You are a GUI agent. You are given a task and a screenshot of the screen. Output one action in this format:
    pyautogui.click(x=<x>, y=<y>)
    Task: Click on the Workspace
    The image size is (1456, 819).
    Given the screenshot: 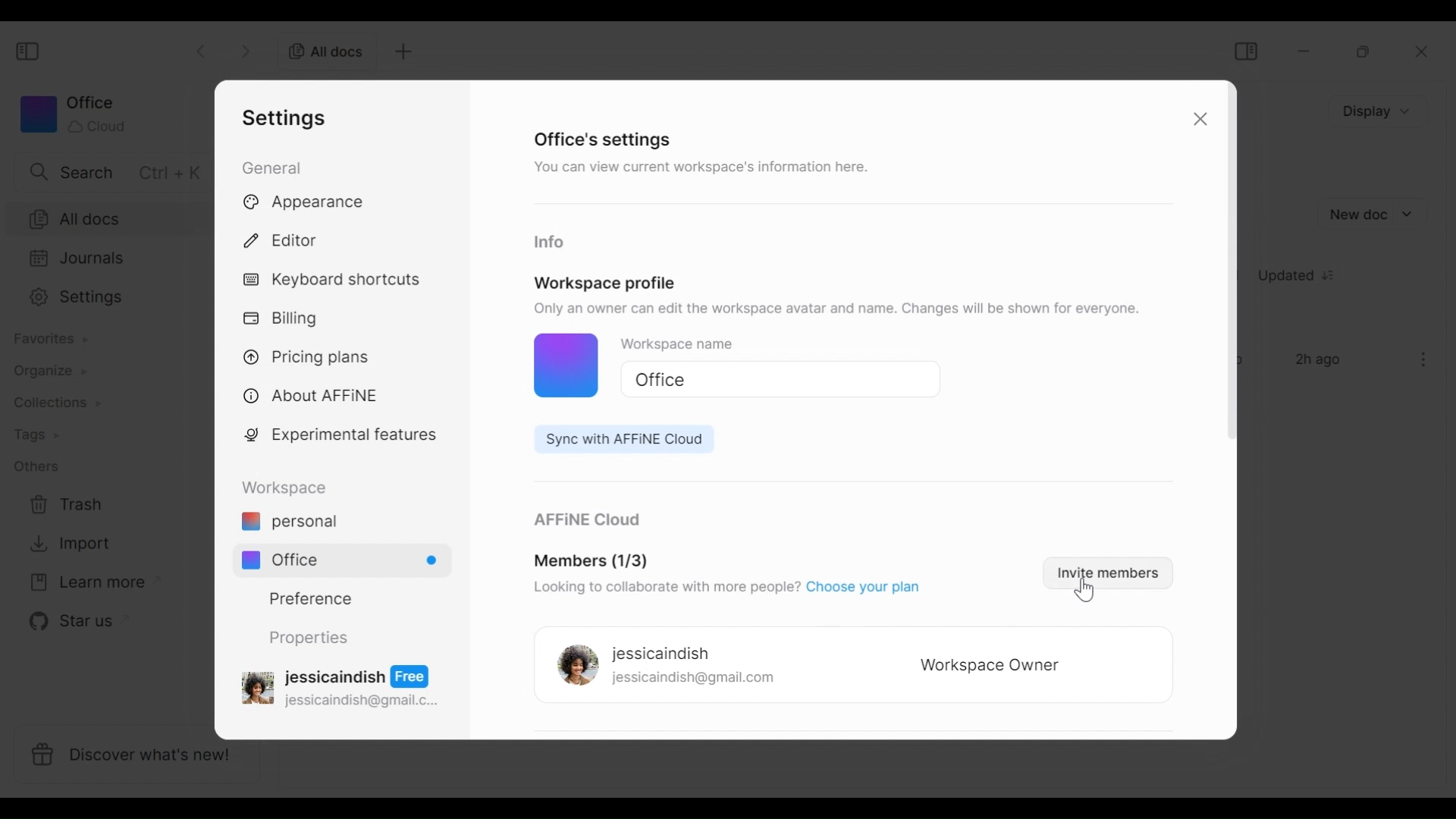 What is the action you would take?
    pyautogui.click(x=289, y=488)
    